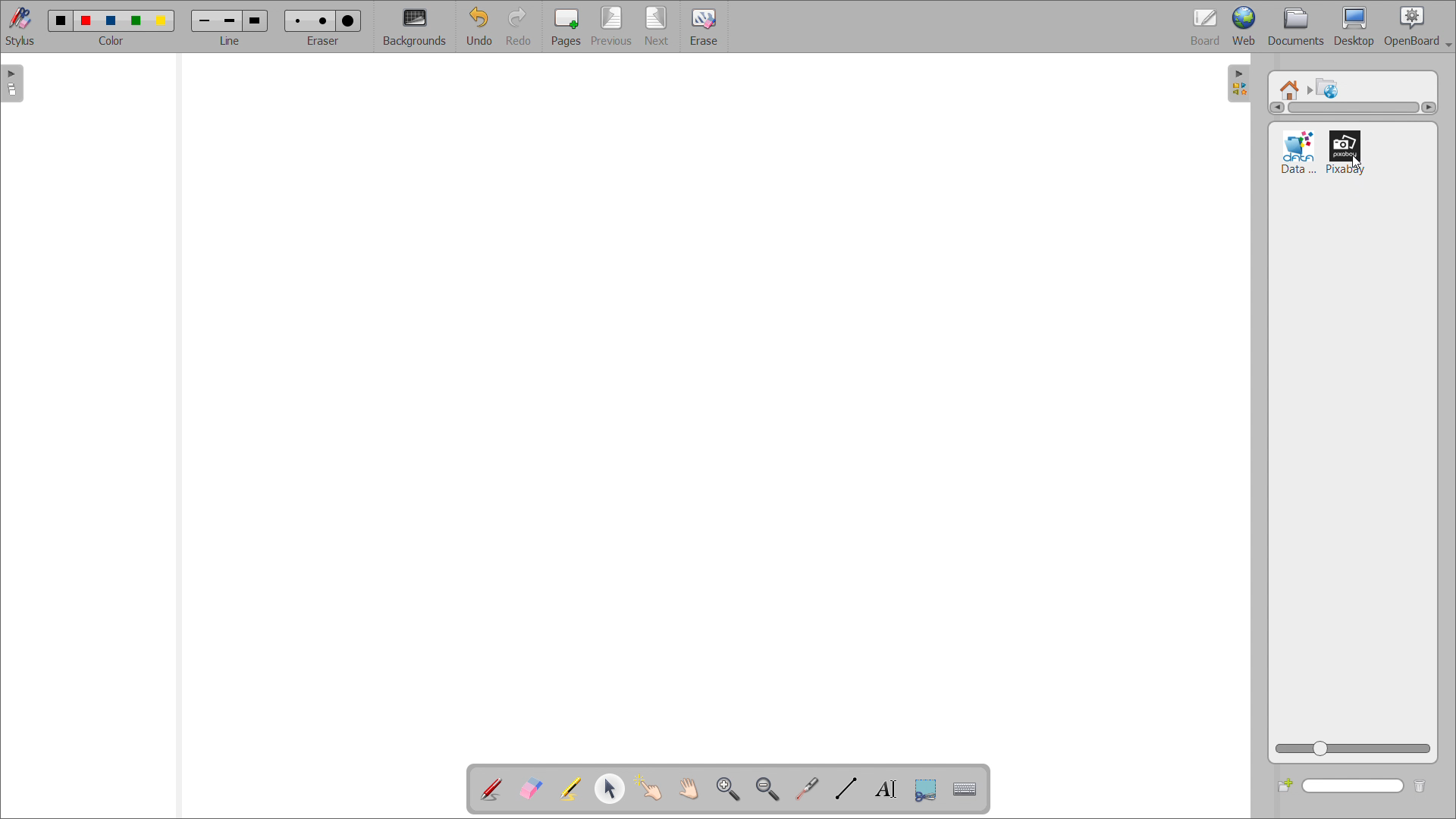  I want to click on Small erase, so click(295, 18).